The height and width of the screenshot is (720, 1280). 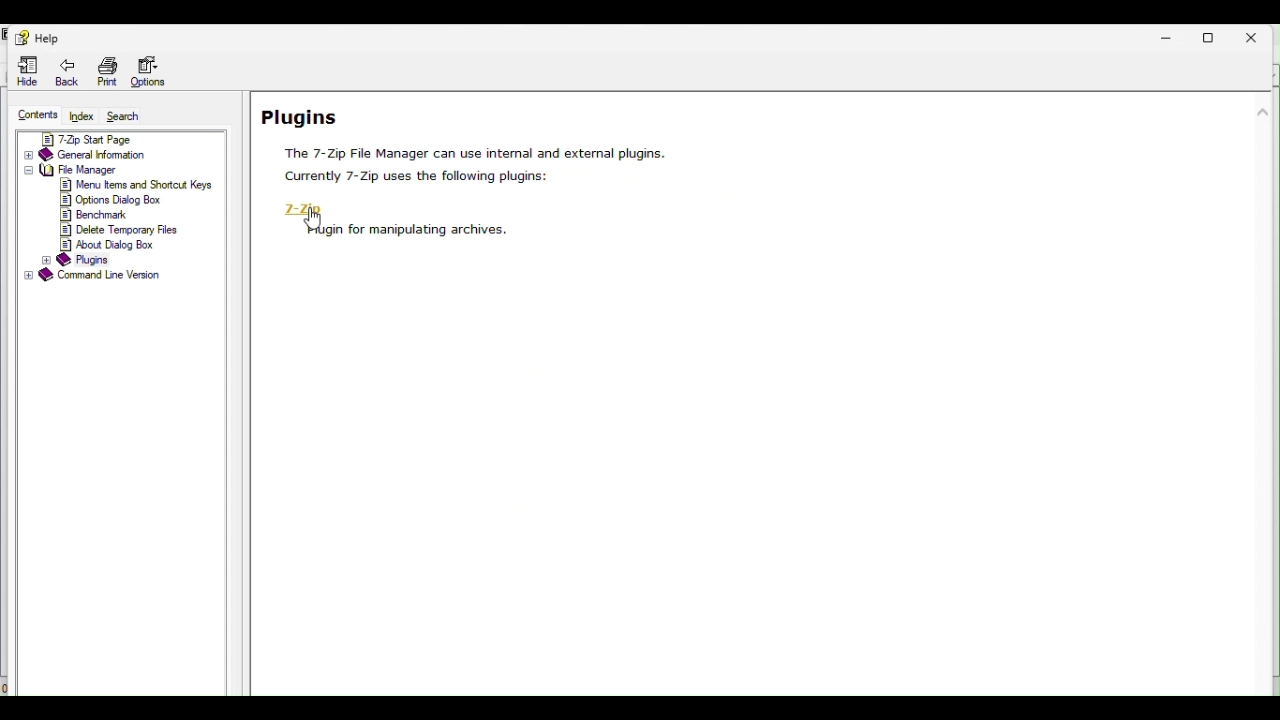 I want to click on Minimize, so click(x=1168, y=33).